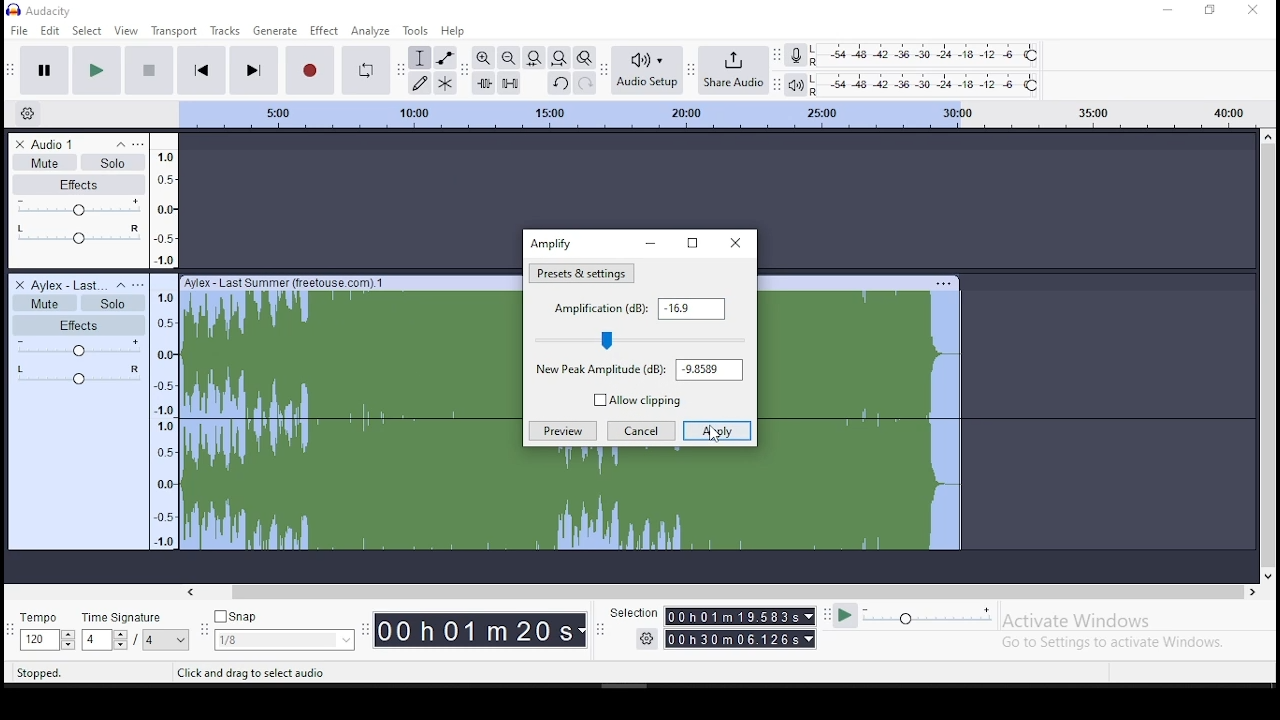 The image size is (1280, 720). I want to click on transport, so click(178, 29).